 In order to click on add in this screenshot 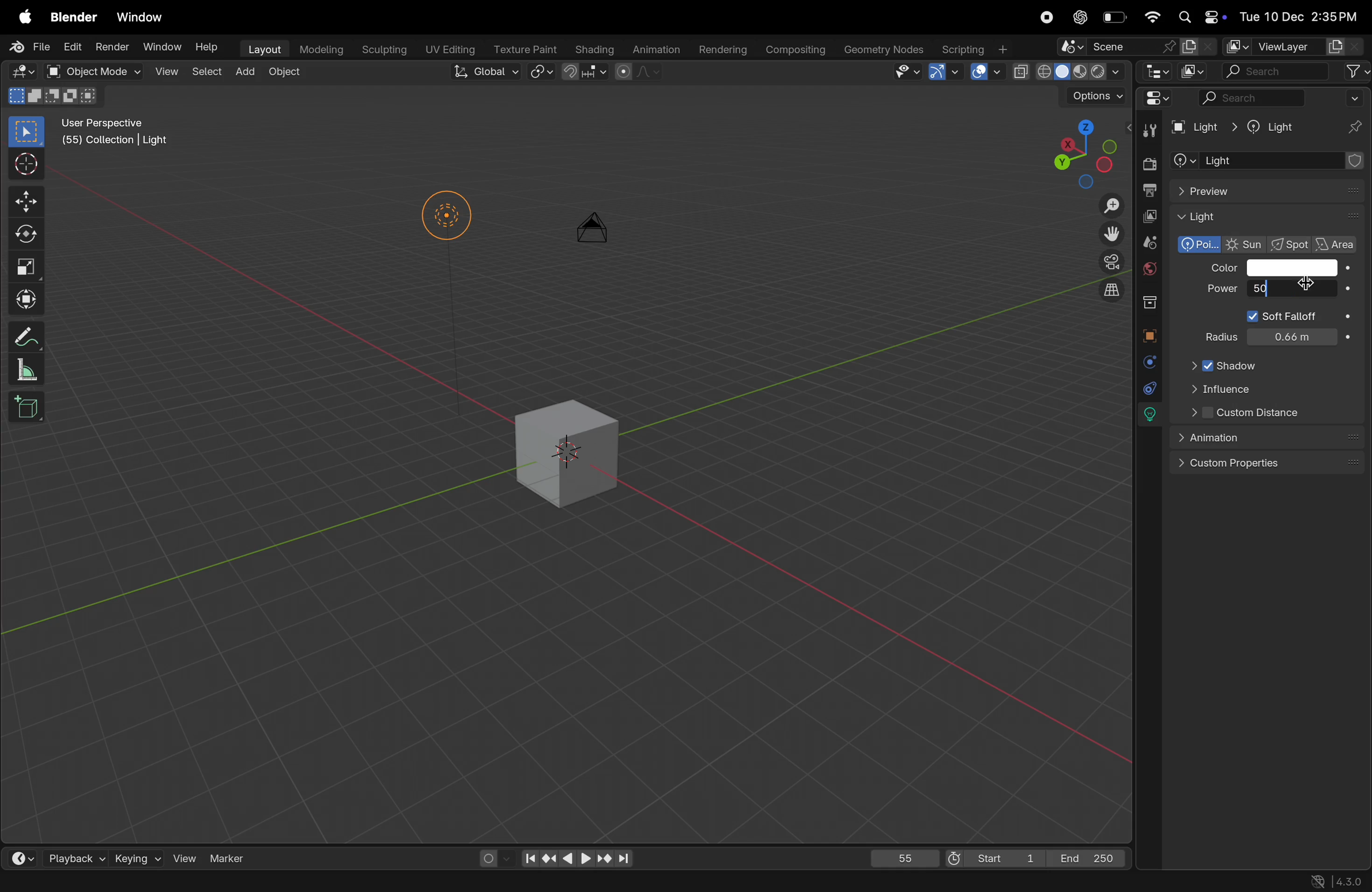, I will do `click(247, 73)`.